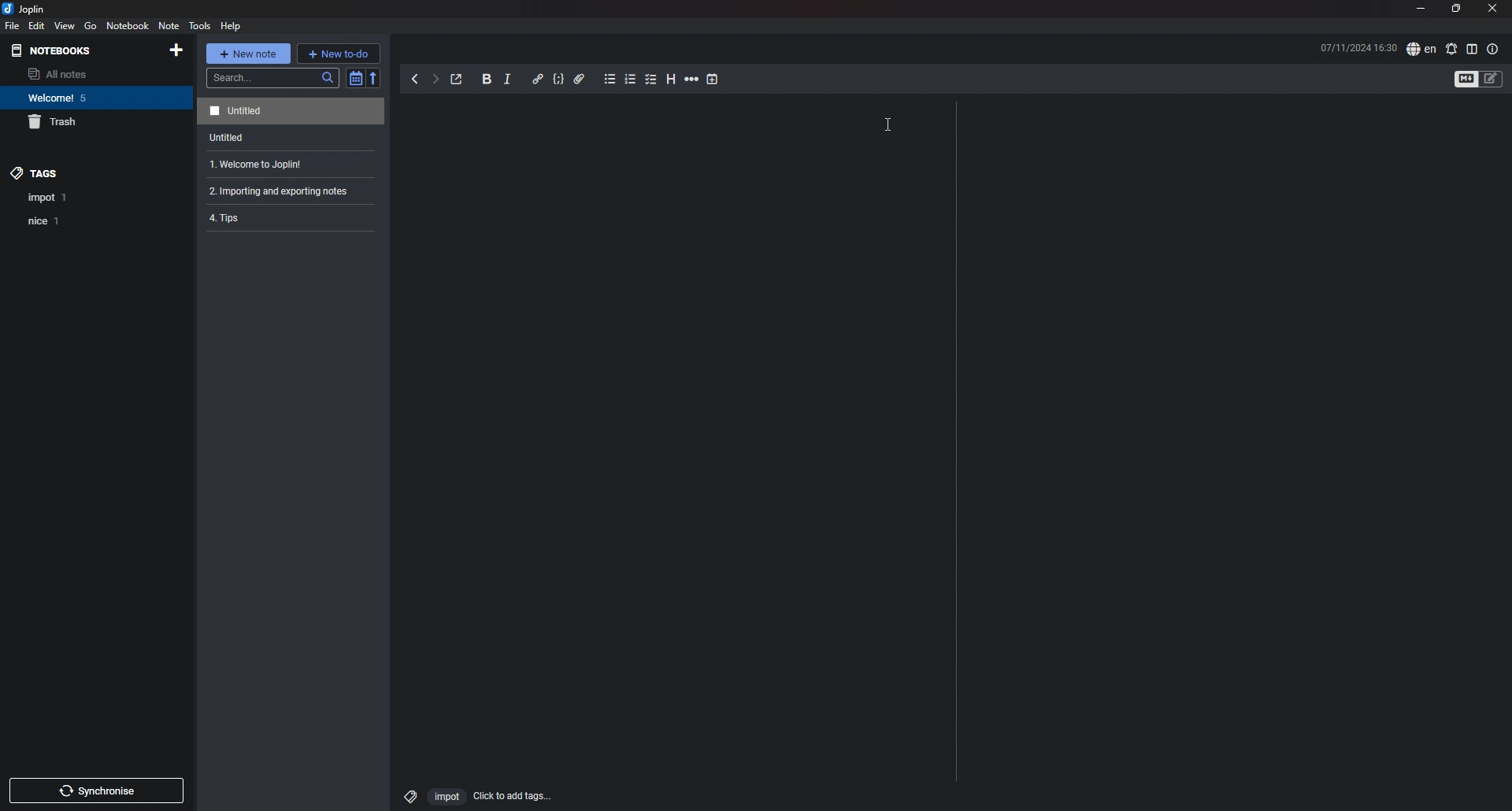 The image size is (1512, 811). I want to click on toggle editor layout, so click(1472, 49).